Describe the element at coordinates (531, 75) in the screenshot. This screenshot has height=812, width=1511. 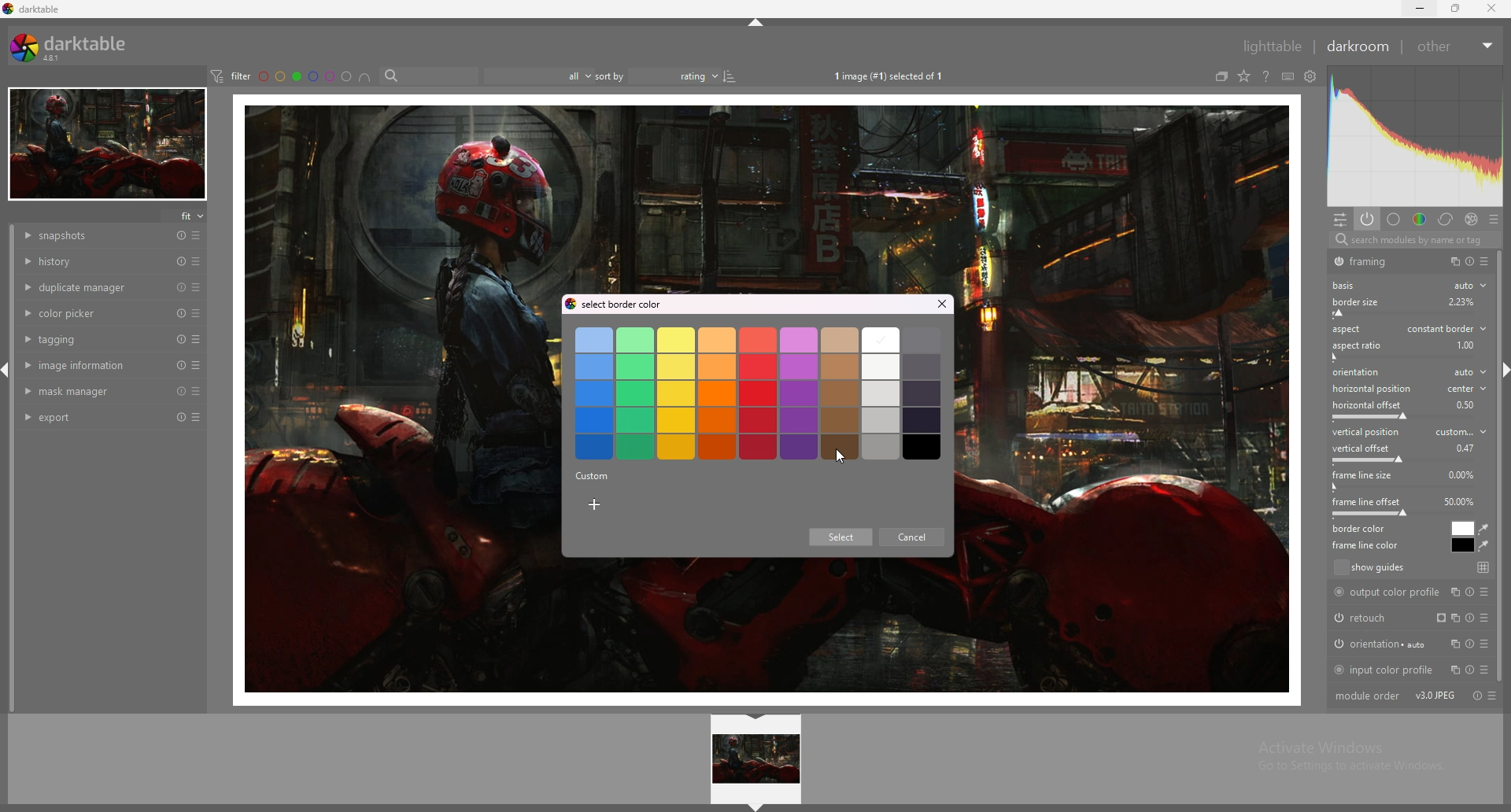
I see `filter by images rating` at that location.